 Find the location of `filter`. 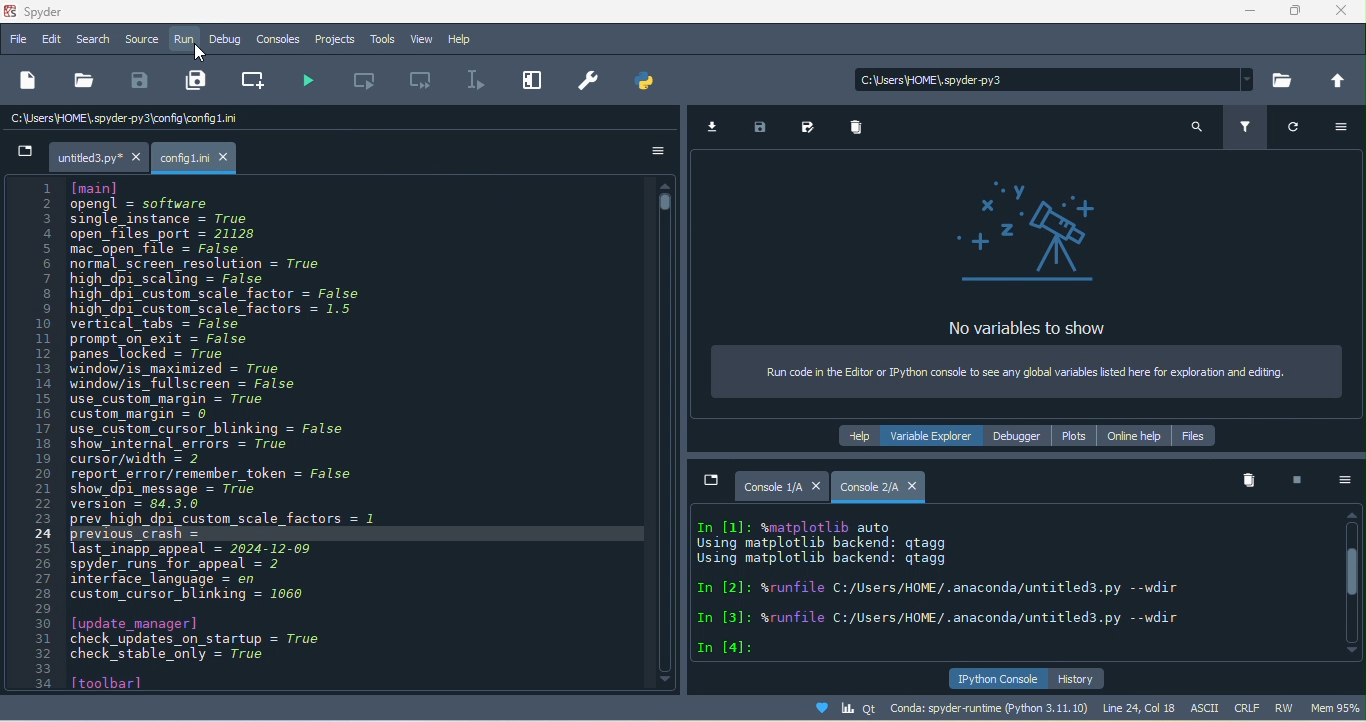

filter is located at coordinates (1248, 130).